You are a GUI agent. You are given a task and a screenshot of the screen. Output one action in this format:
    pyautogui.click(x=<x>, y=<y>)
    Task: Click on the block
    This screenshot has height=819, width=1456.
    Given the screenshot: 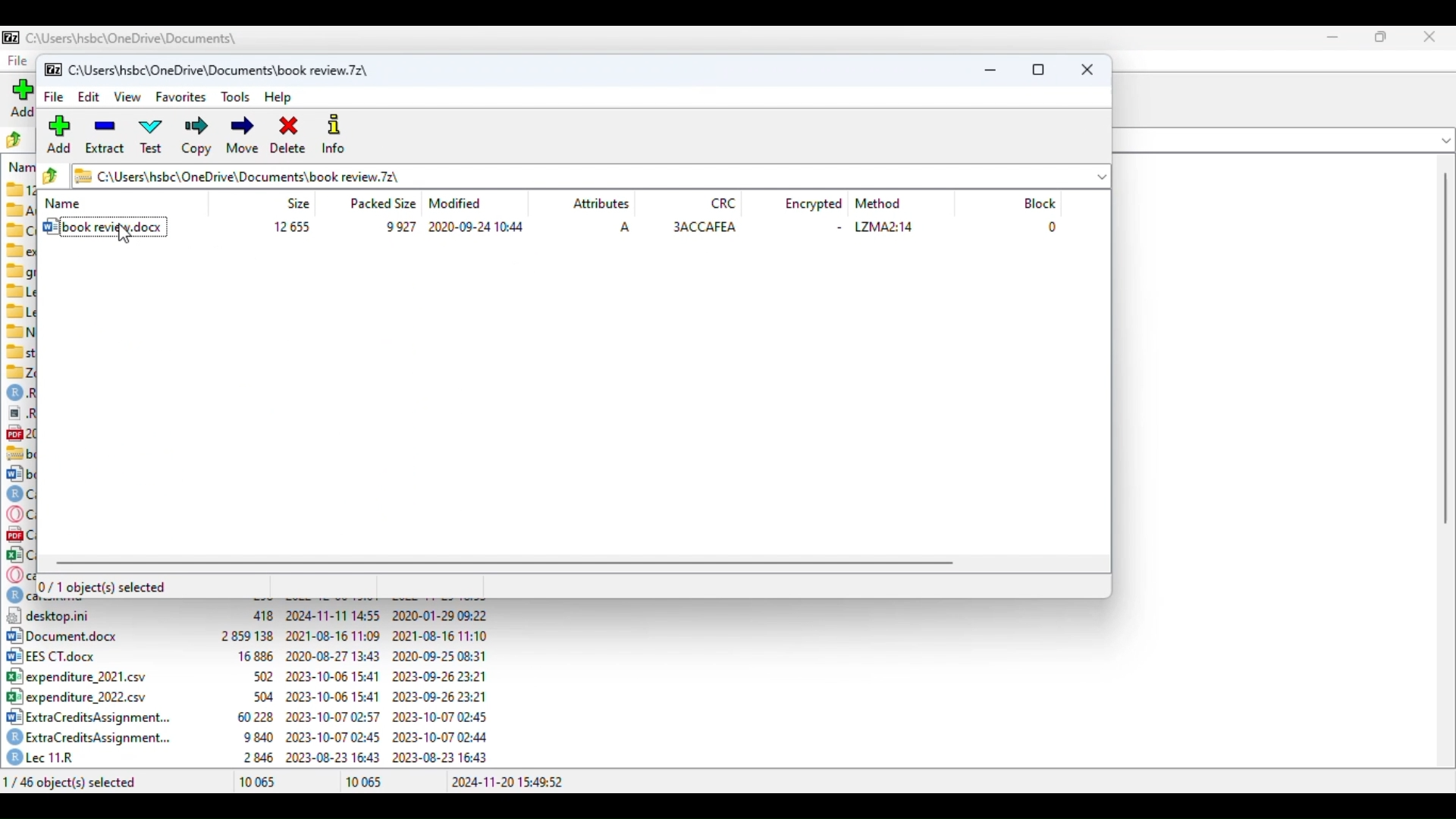 What is the action you would take?
    pyautogui.click(x=1039, y=203)
    